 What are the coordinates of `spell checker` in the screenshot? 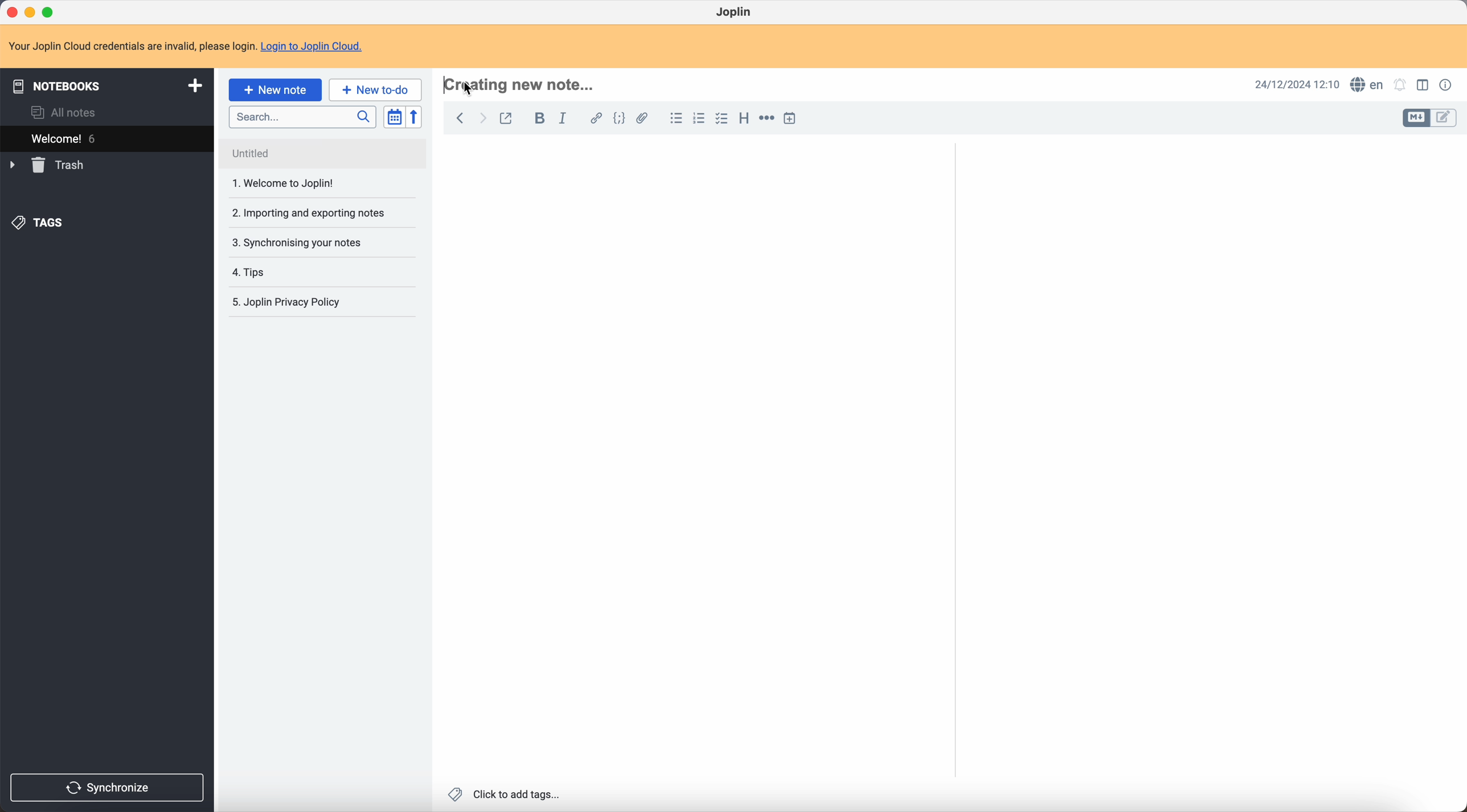 It's located at (1365, 84).